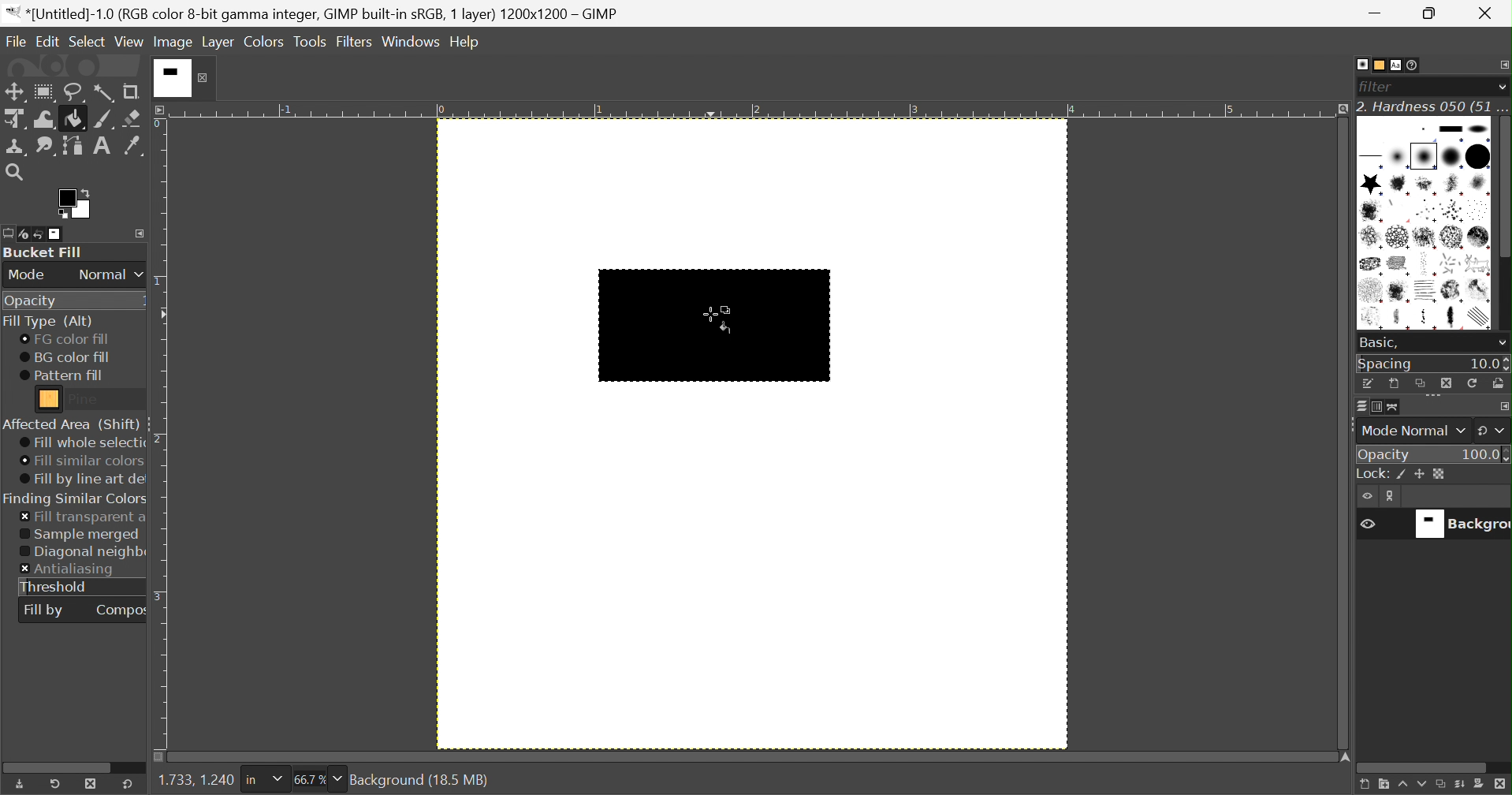 Image resolution: width=1512 pixels, height=795 pixels. What do you see at coordinates (1453, 211) in the screenshot?
I see `Bristles 02` at bounding box center [1453, 211].